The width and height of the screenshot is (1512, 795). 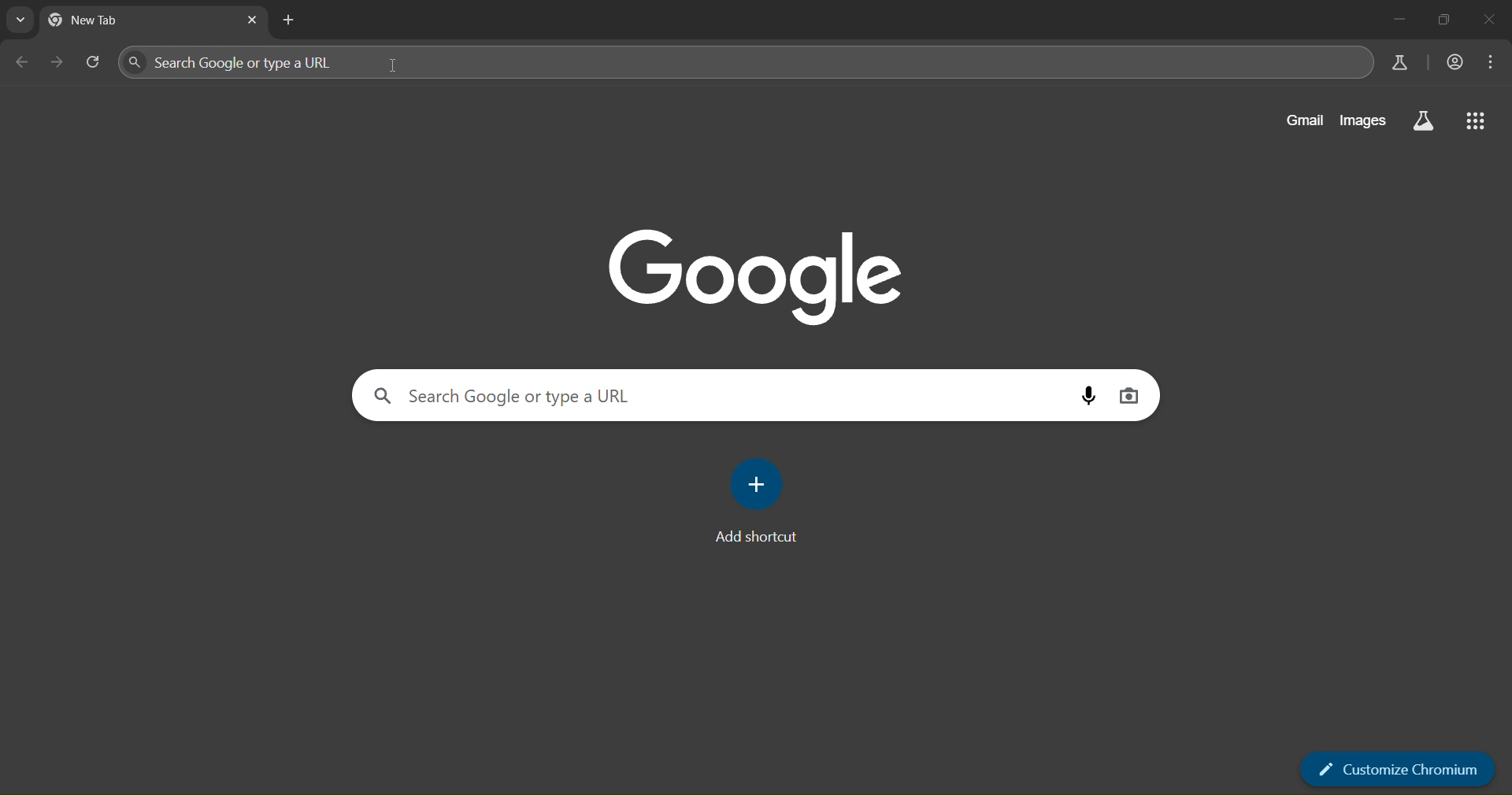 What do you see at coordinates (1088, 395) in the screenshot?
I see `voice search` at bounding box center [1088, 395].